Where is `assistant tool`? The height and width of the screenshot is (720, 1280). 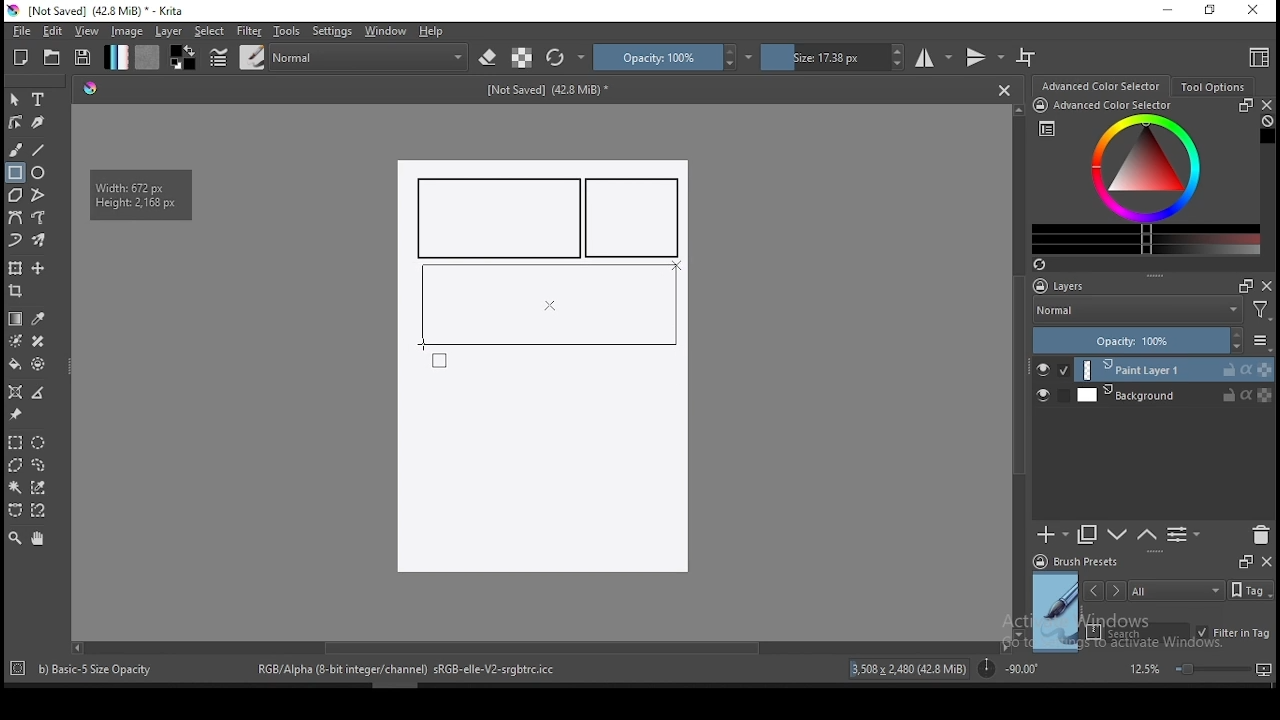
assistant tool is located at coordinates (15, 392).